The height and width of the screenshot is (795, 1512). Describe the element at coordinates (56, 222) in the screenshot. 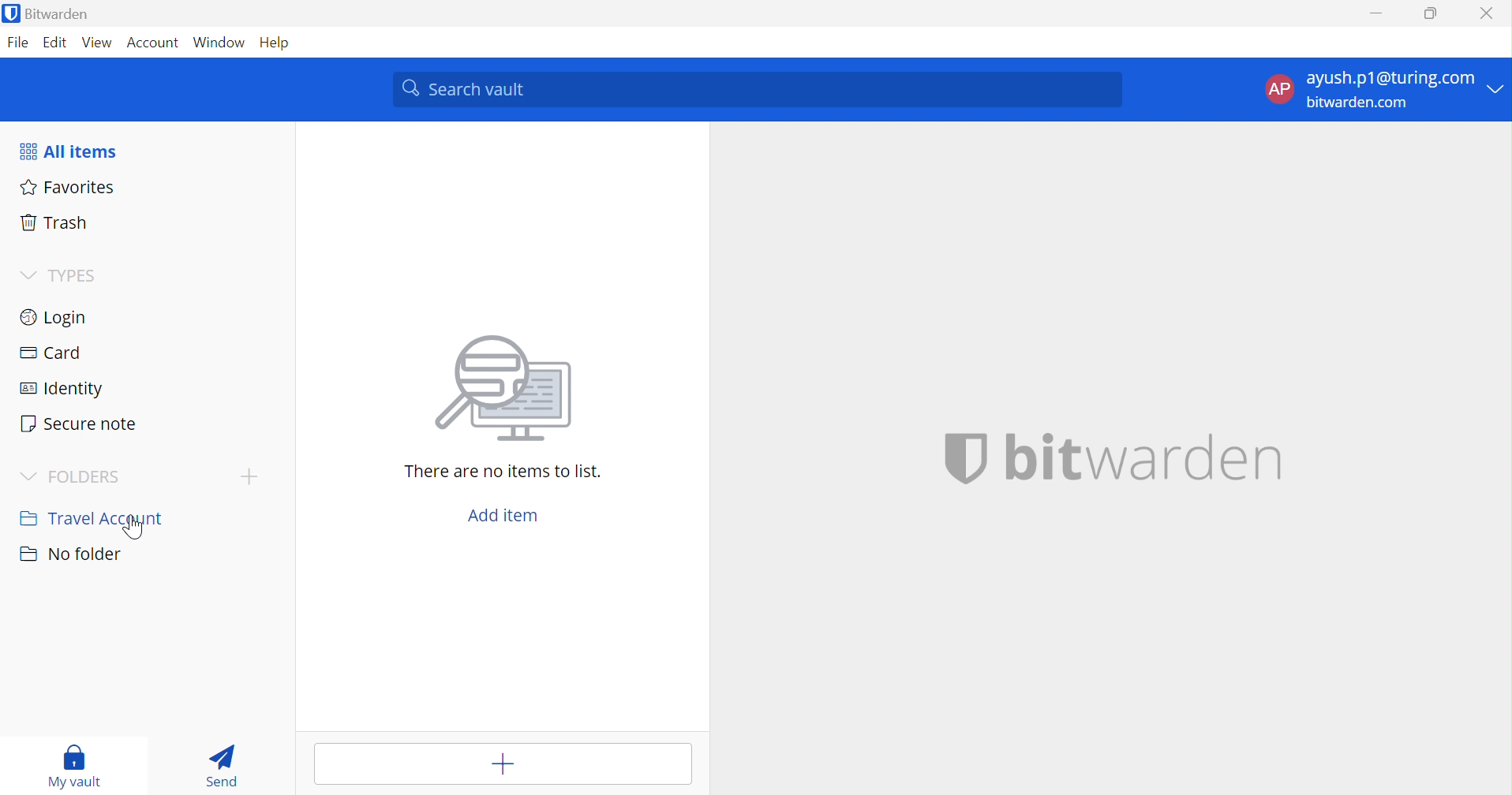

I see `Trash` at that location.